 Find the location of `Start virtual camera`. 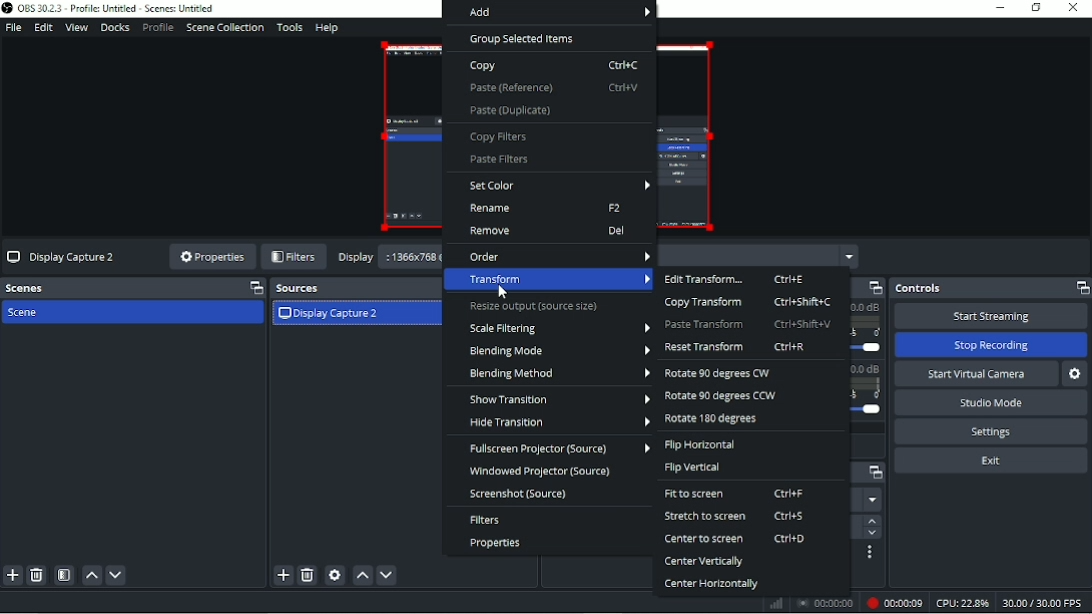

Start virtual camera is located at coordinates (977, 374).